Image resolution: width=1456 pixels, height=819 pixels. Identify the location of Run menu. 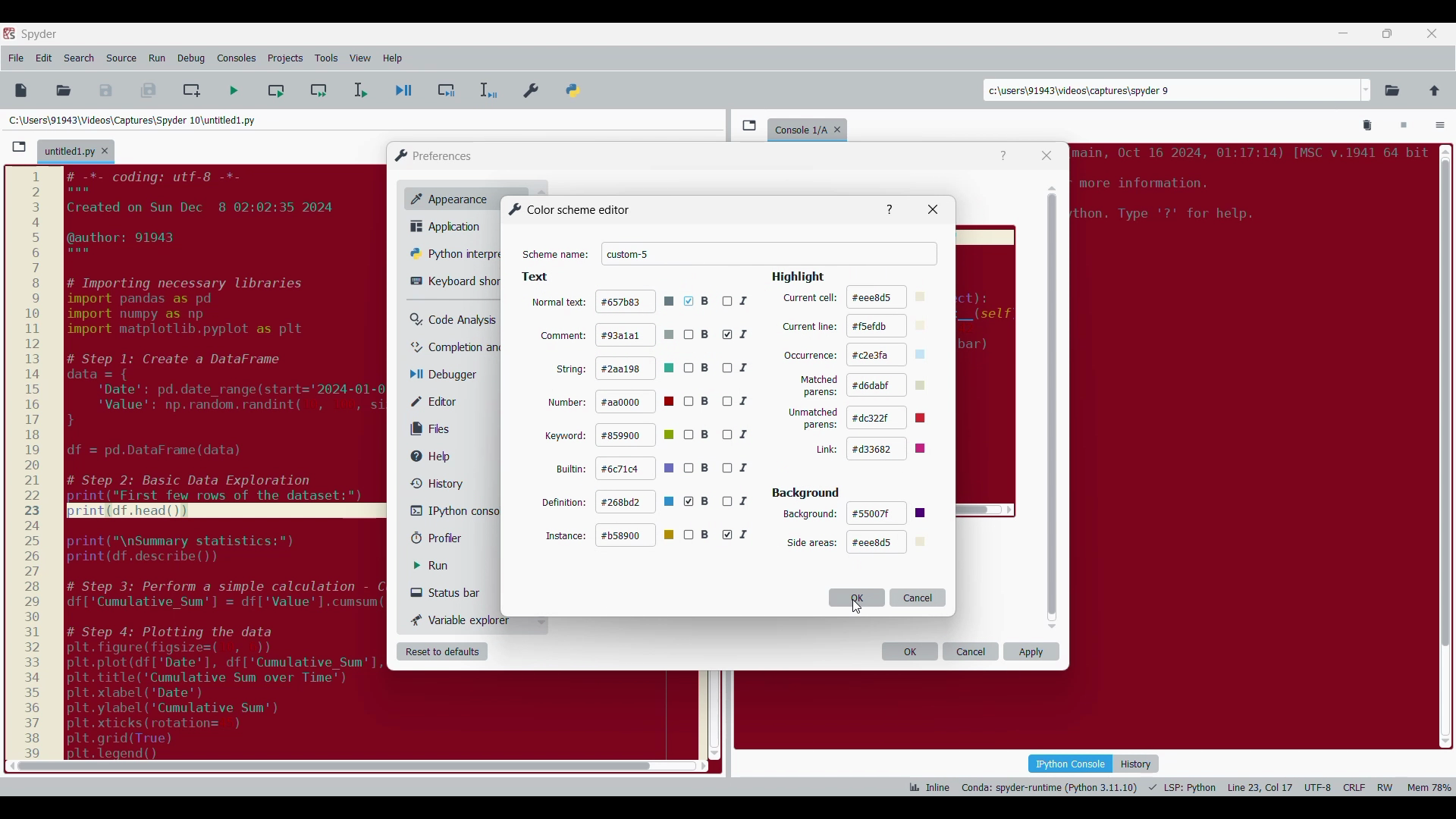
(157, 58).